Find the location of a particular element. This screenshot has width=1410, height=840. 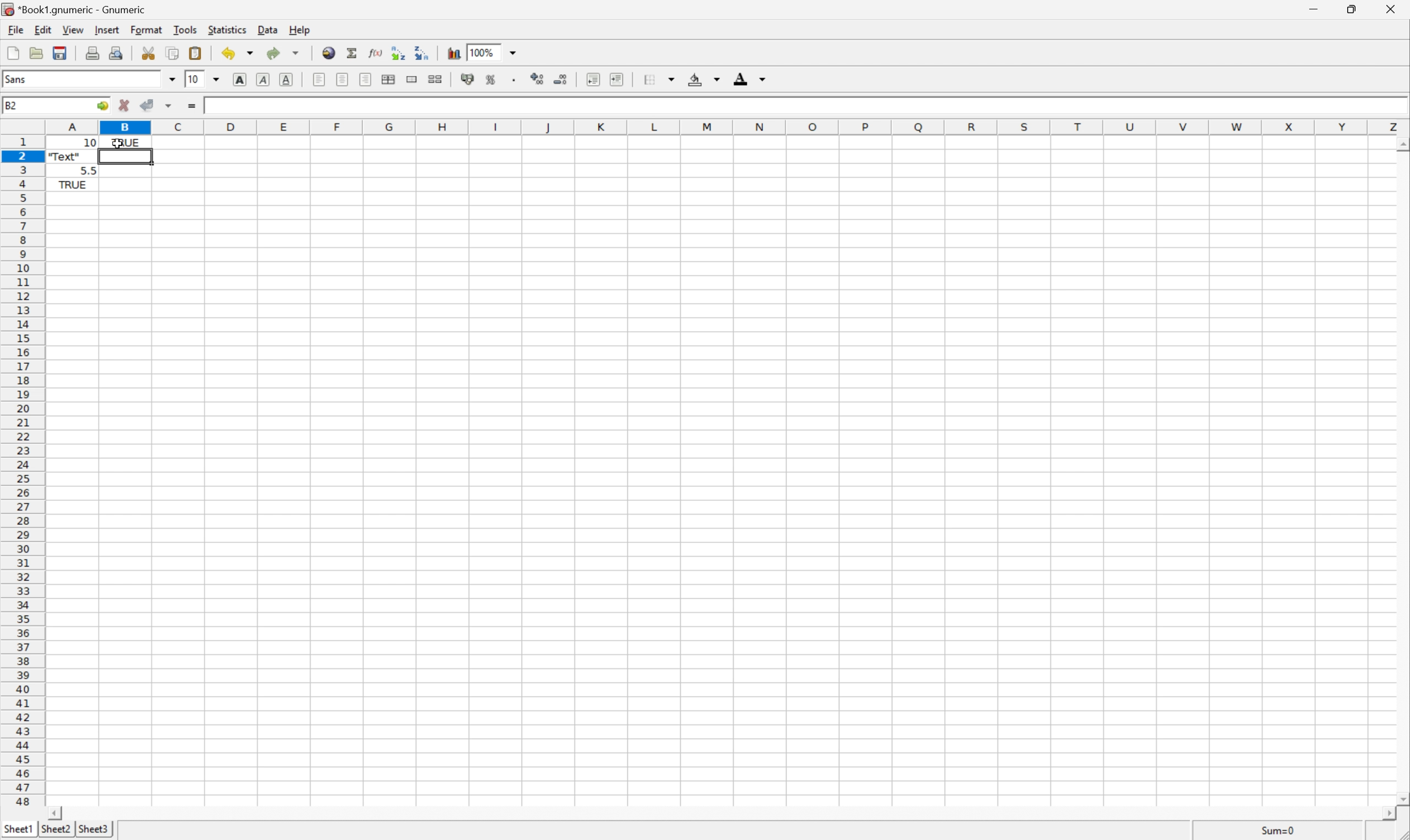

Accept changes is located at coordinates (149, 104).